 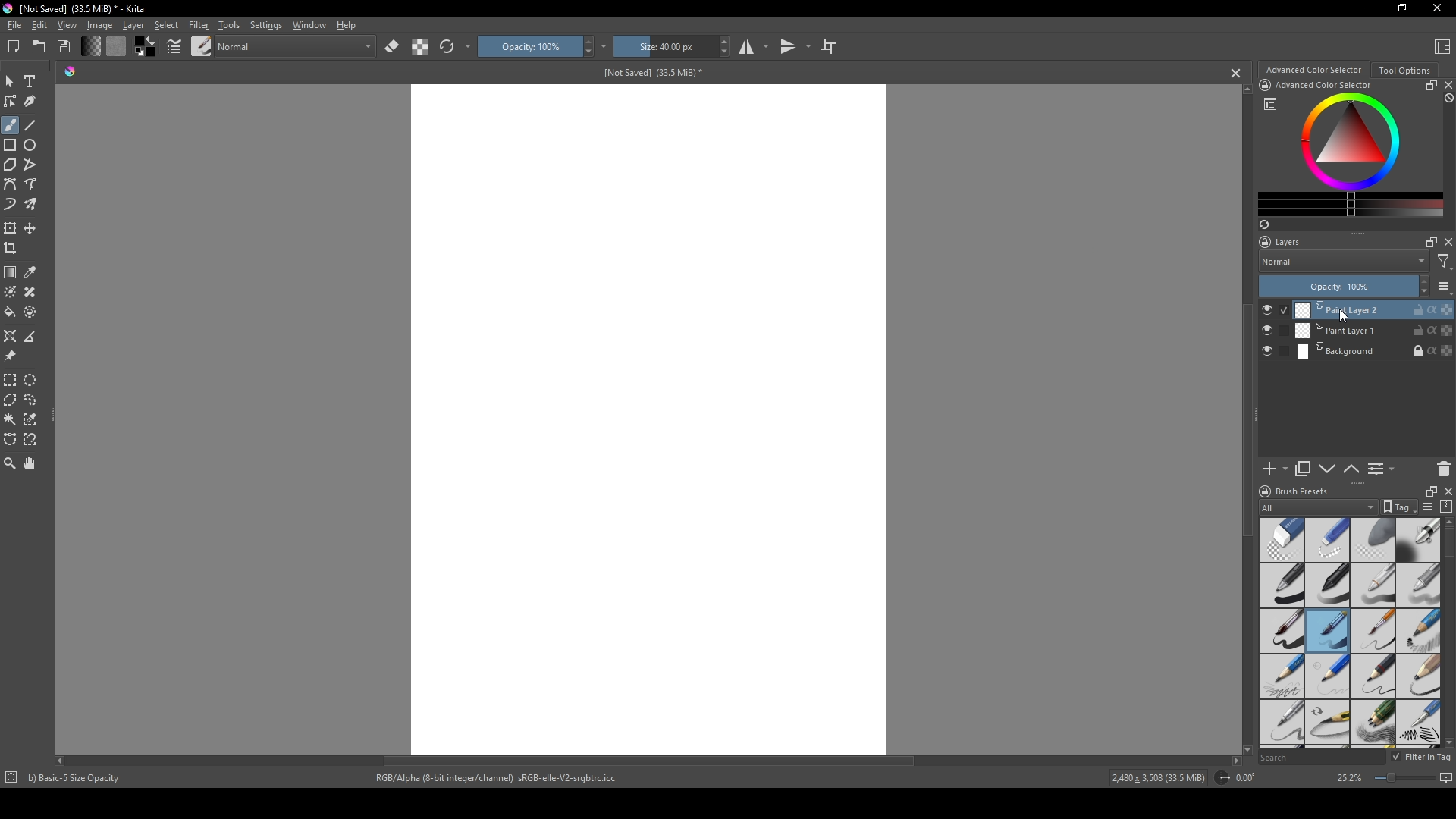 I want to click on folder, so click(x=39, y=47).